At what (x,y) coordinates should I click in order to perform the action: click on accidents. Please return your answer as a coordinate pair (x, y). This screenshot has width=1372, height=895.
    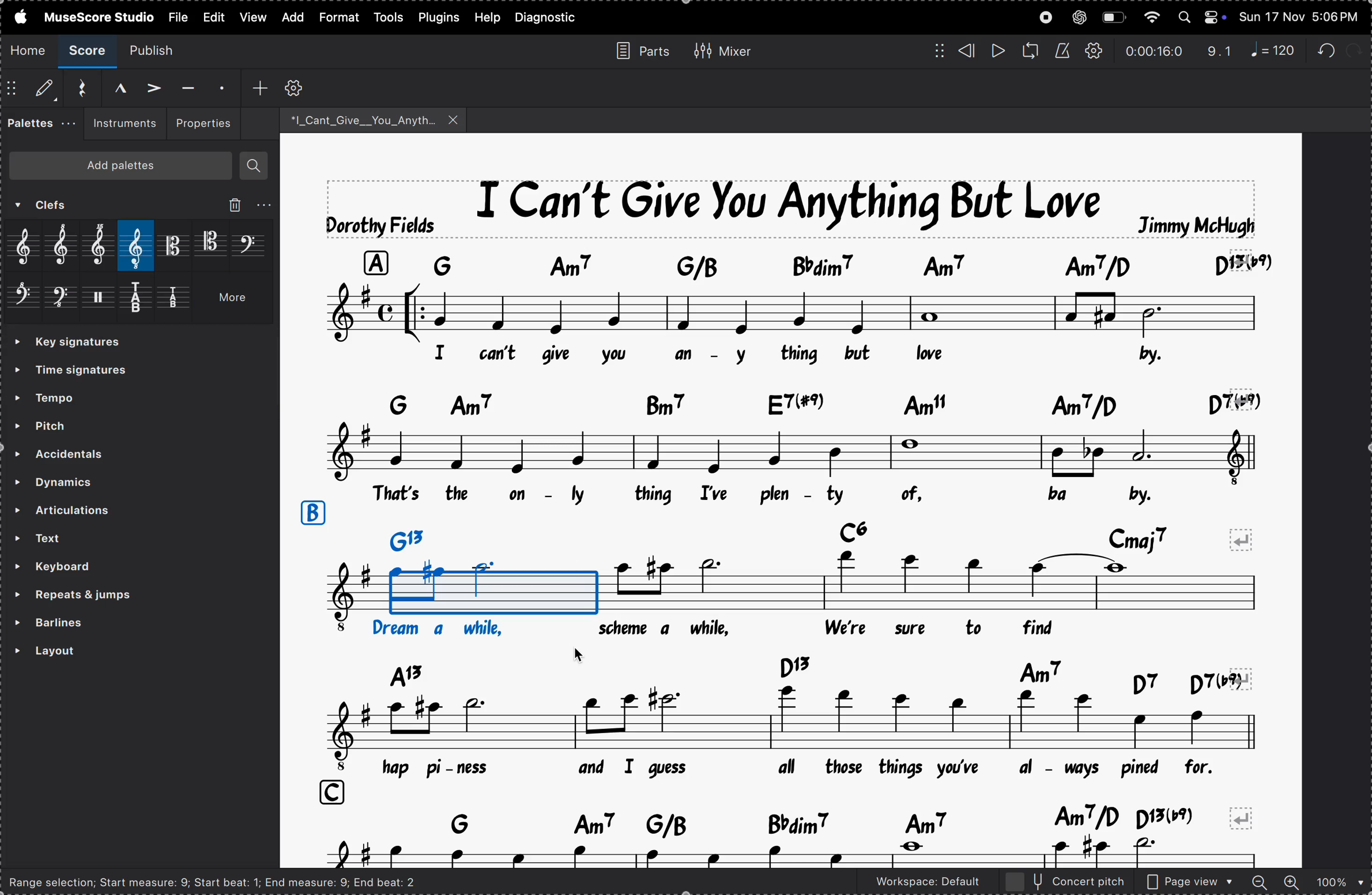
    Looking at the image, I should click on (85, 452).